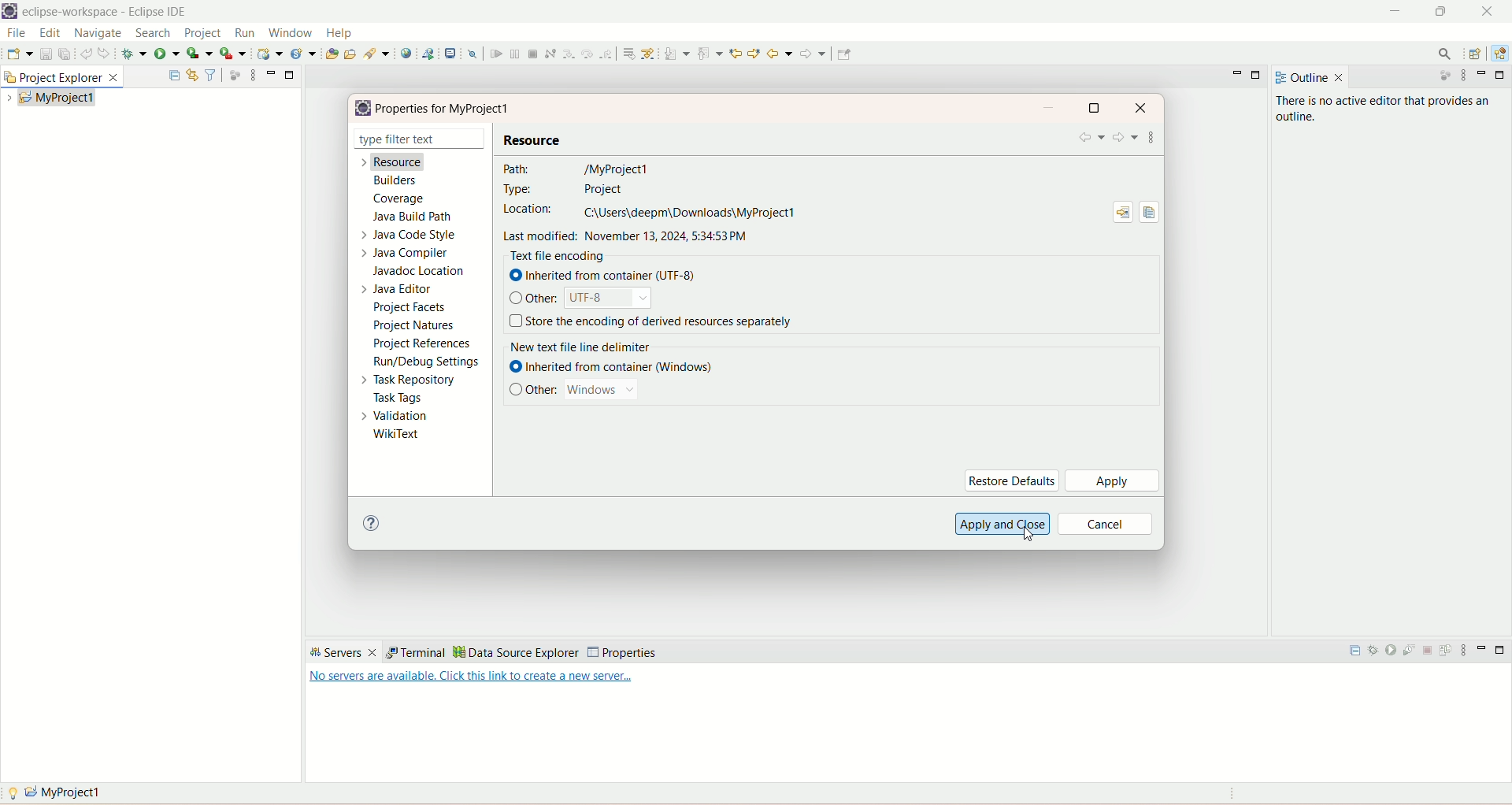 The image size is (1512, 805). I want to click on search, so click(1443, 53).